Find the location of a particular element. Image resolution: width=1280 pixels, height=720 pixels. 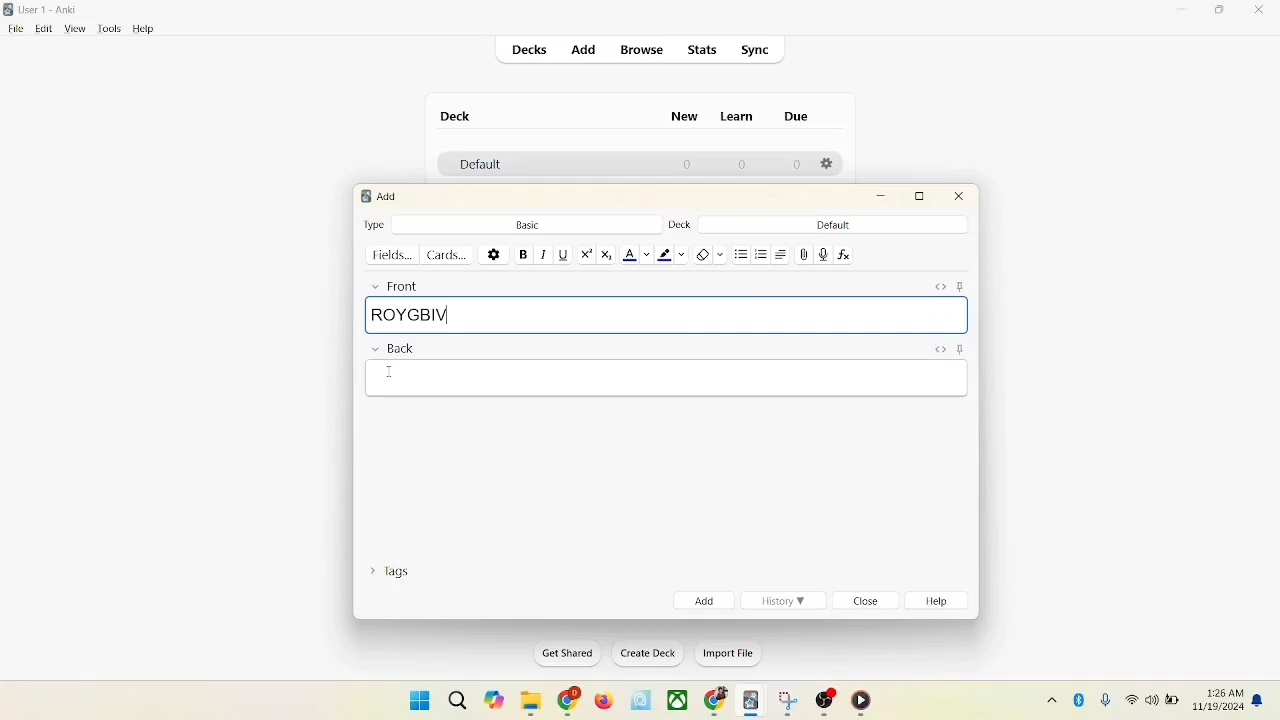

type is located at coordinates (375, 224).